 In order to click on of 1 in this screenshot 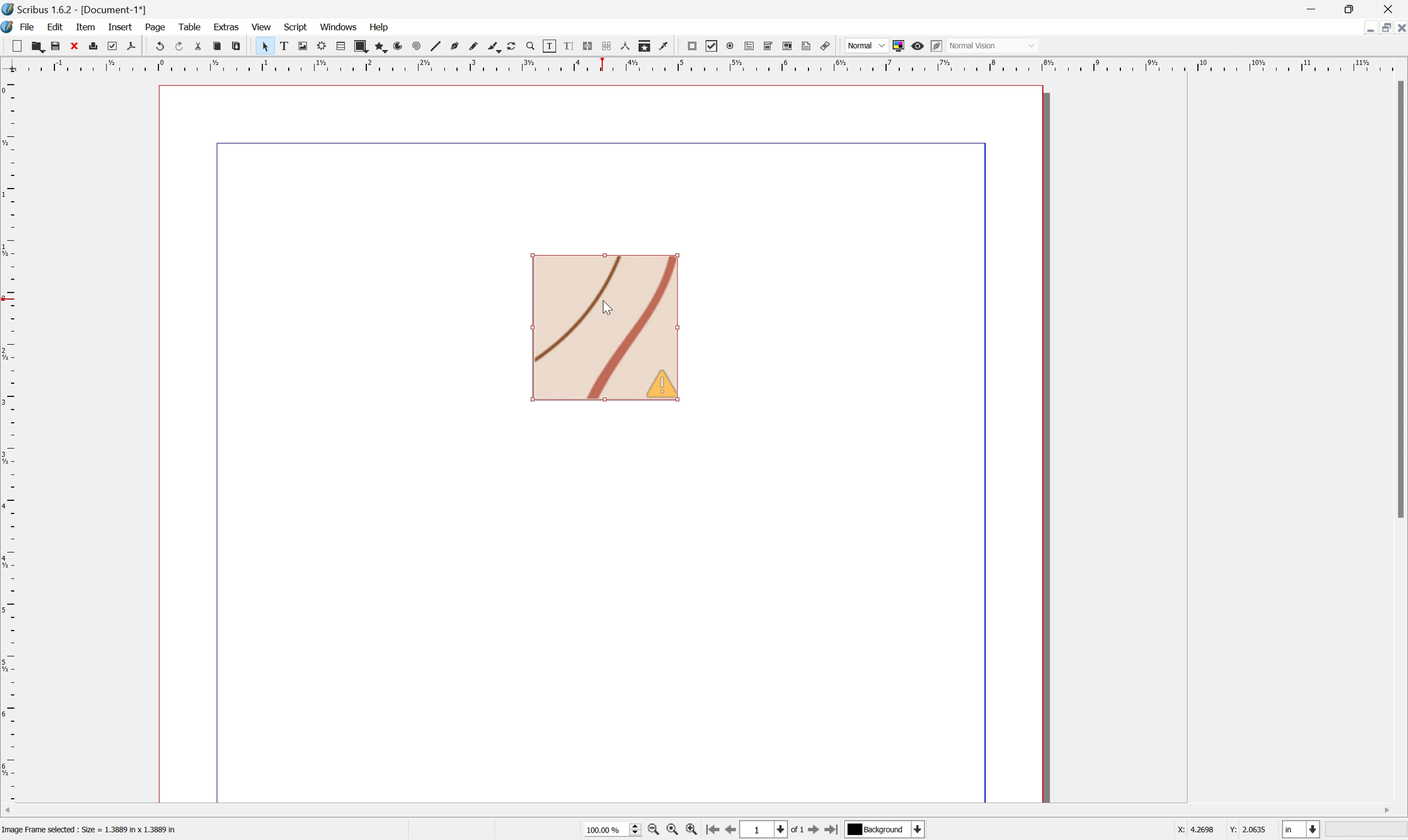, I will do `click(799, 832)`.